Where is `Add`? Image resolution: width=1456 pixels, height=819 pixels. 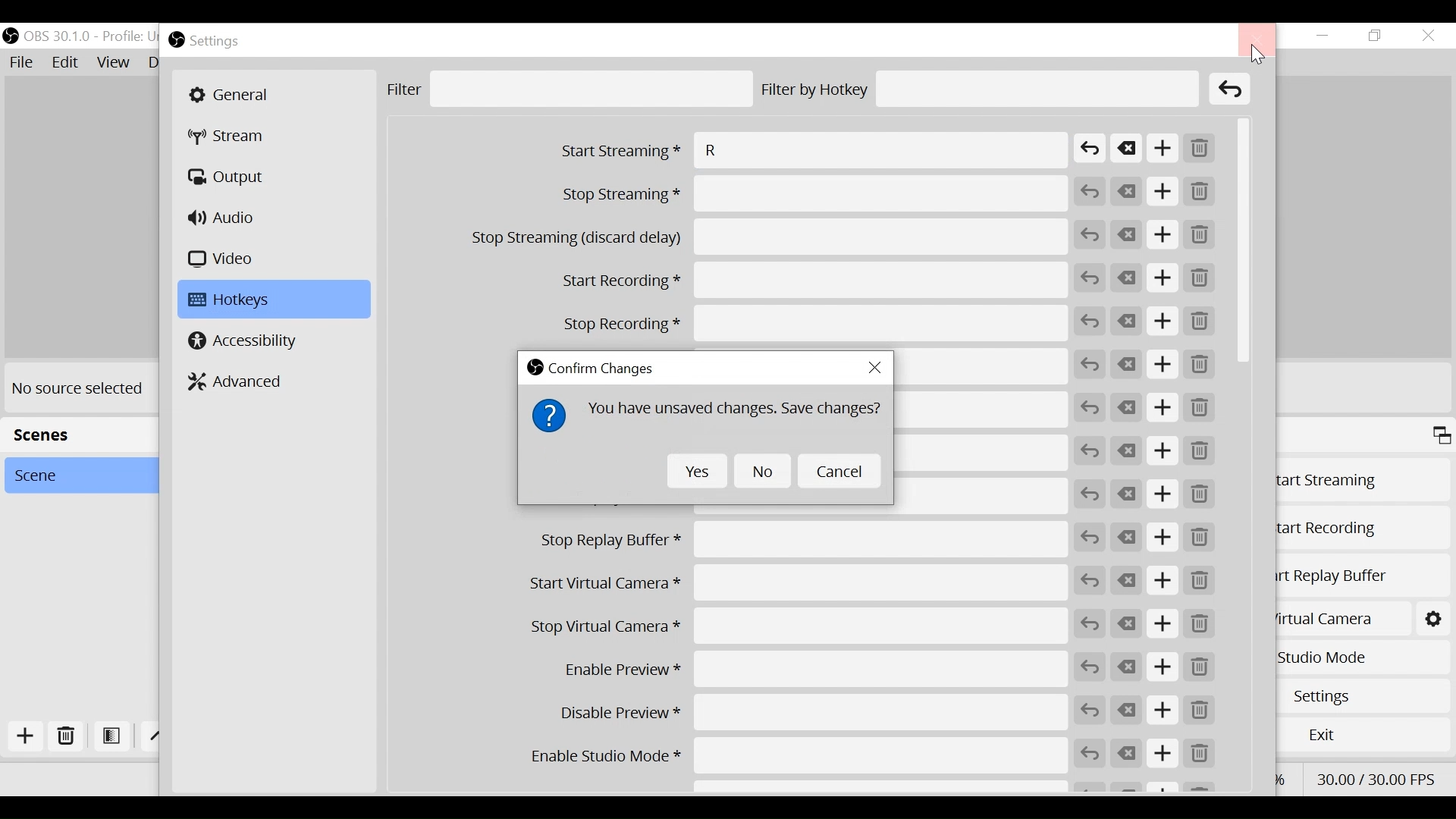 Add is located at coordinates (1164, 496).